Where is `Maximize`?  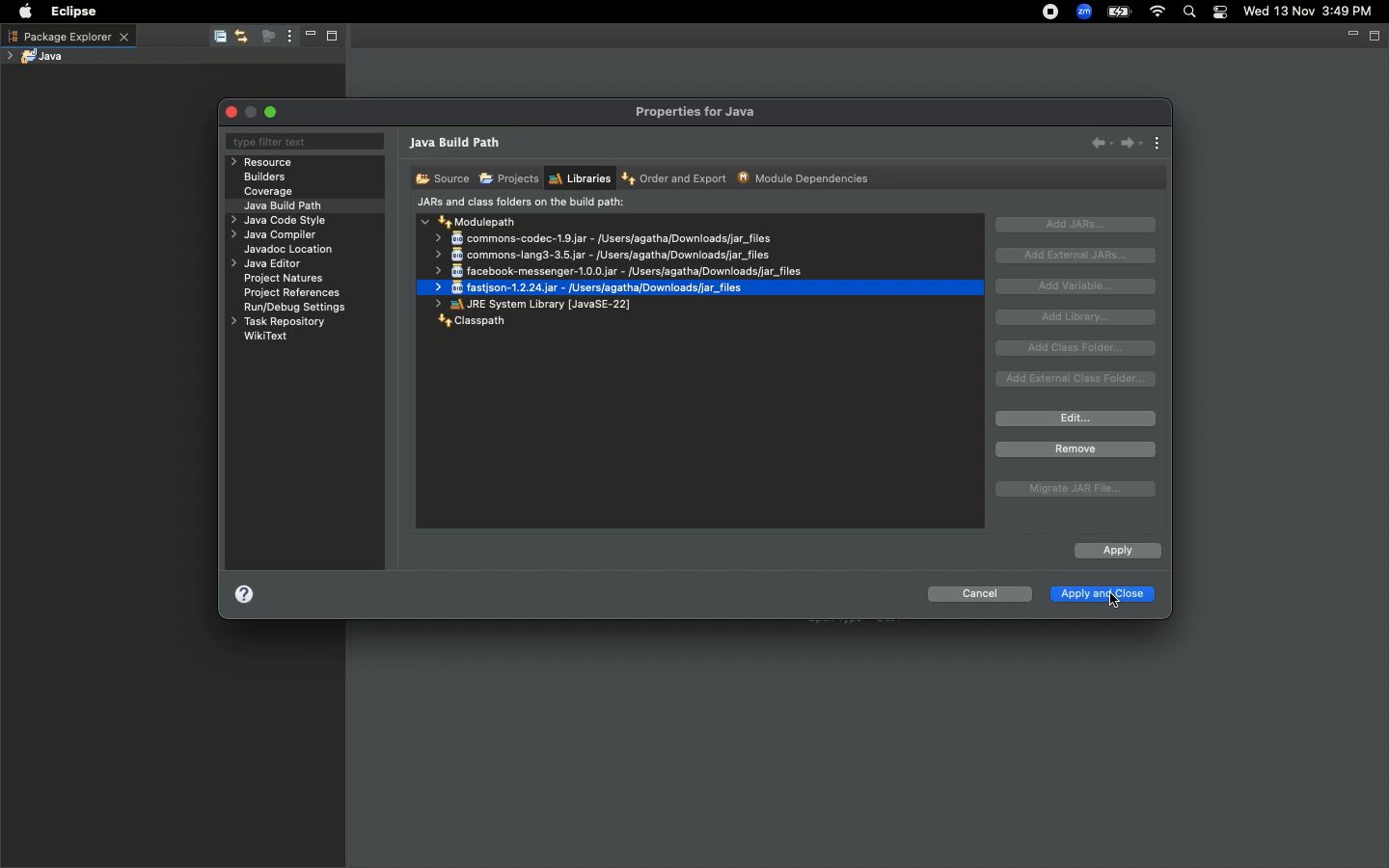 Maximize is located at coordinates (273, 112).